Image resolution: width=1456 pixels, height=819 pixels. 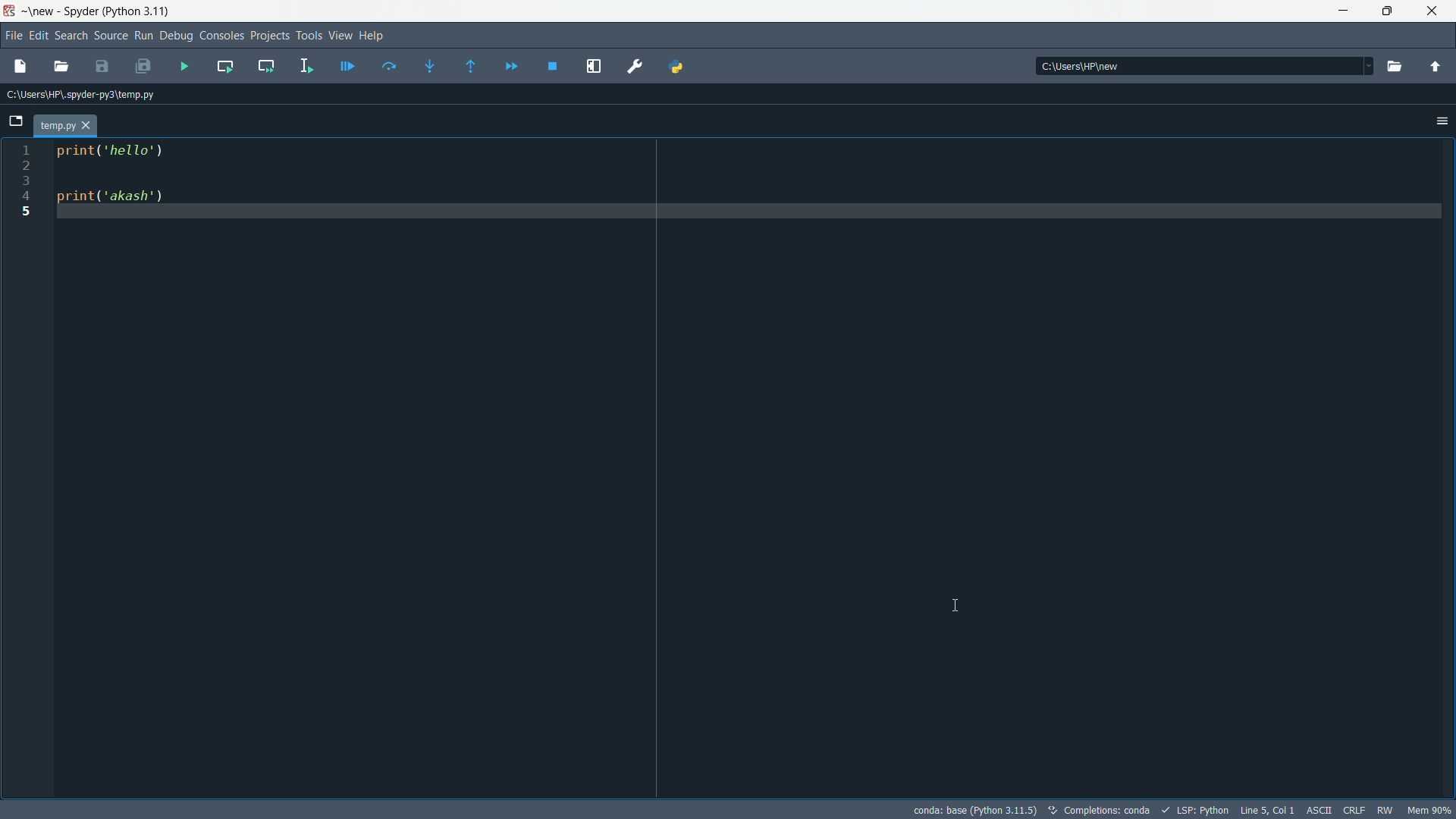 I want to click on run file, so click(x=183, y=66).